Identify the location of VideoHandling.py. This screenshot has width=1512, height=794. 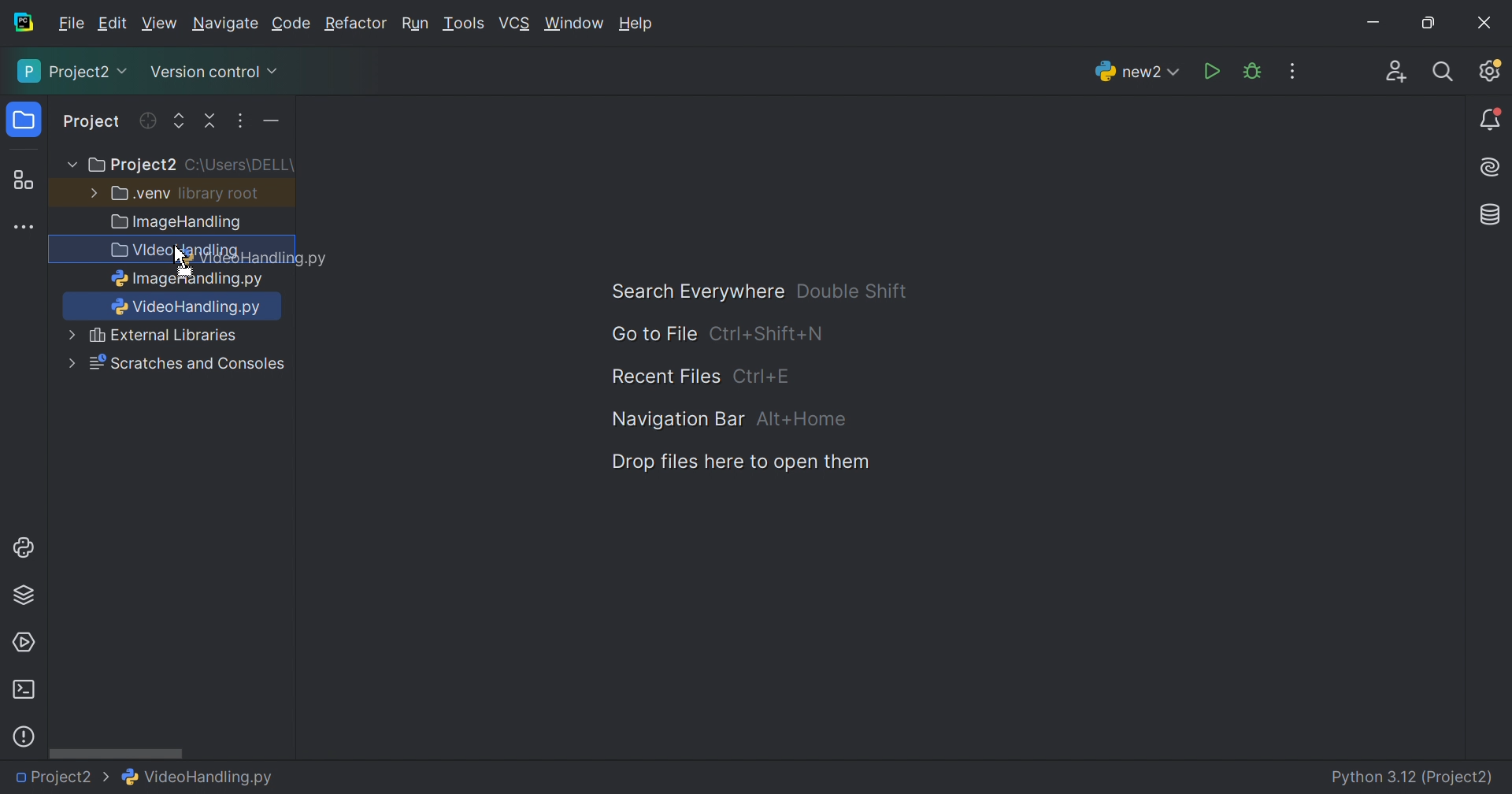
(198, 775).